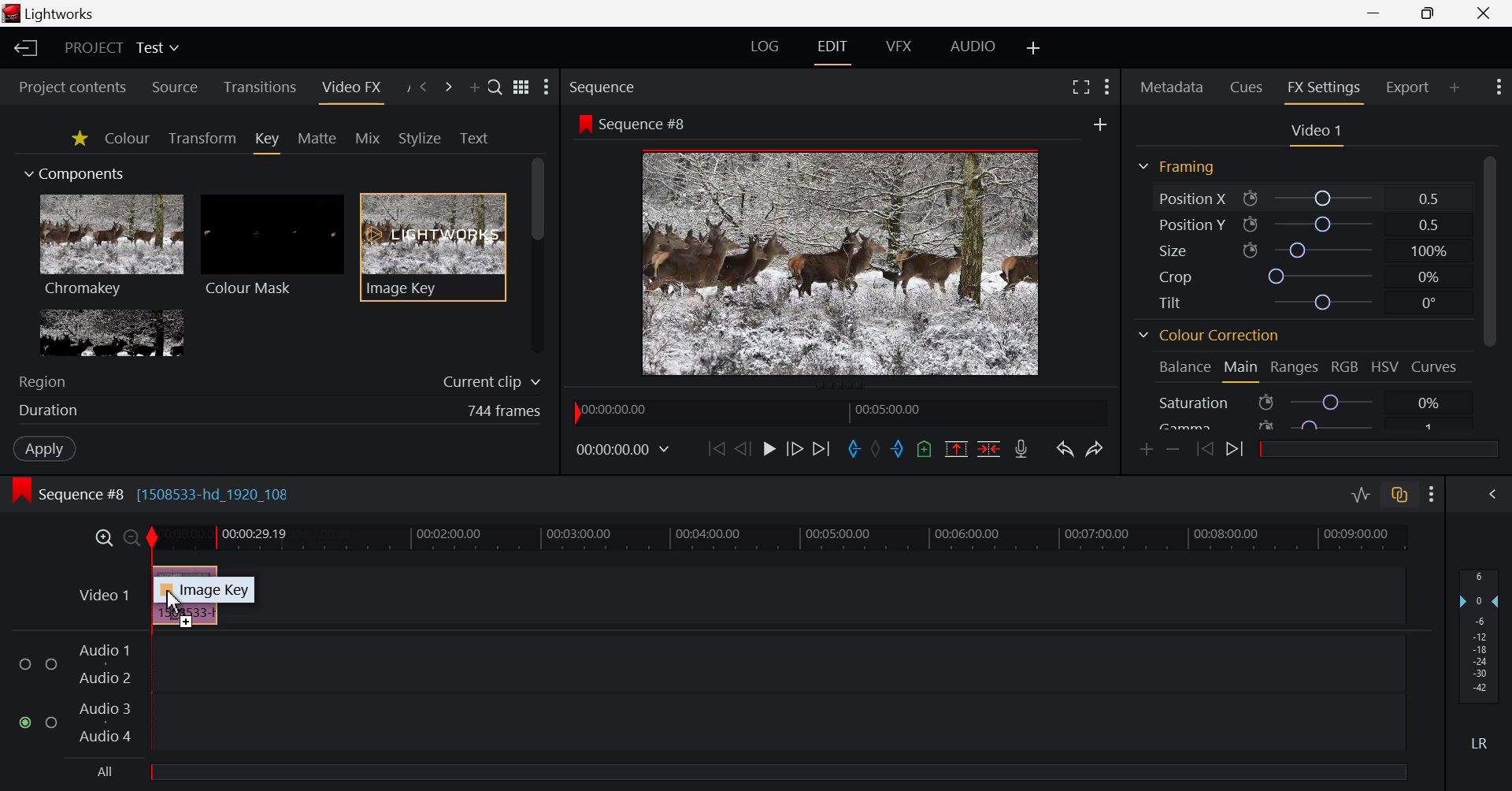 The width and height of the screenshot is (1512, 791). What do you see at coordinates (50, 410) in the screenshot?
I see `Duration` at bounding box center [50, 410].